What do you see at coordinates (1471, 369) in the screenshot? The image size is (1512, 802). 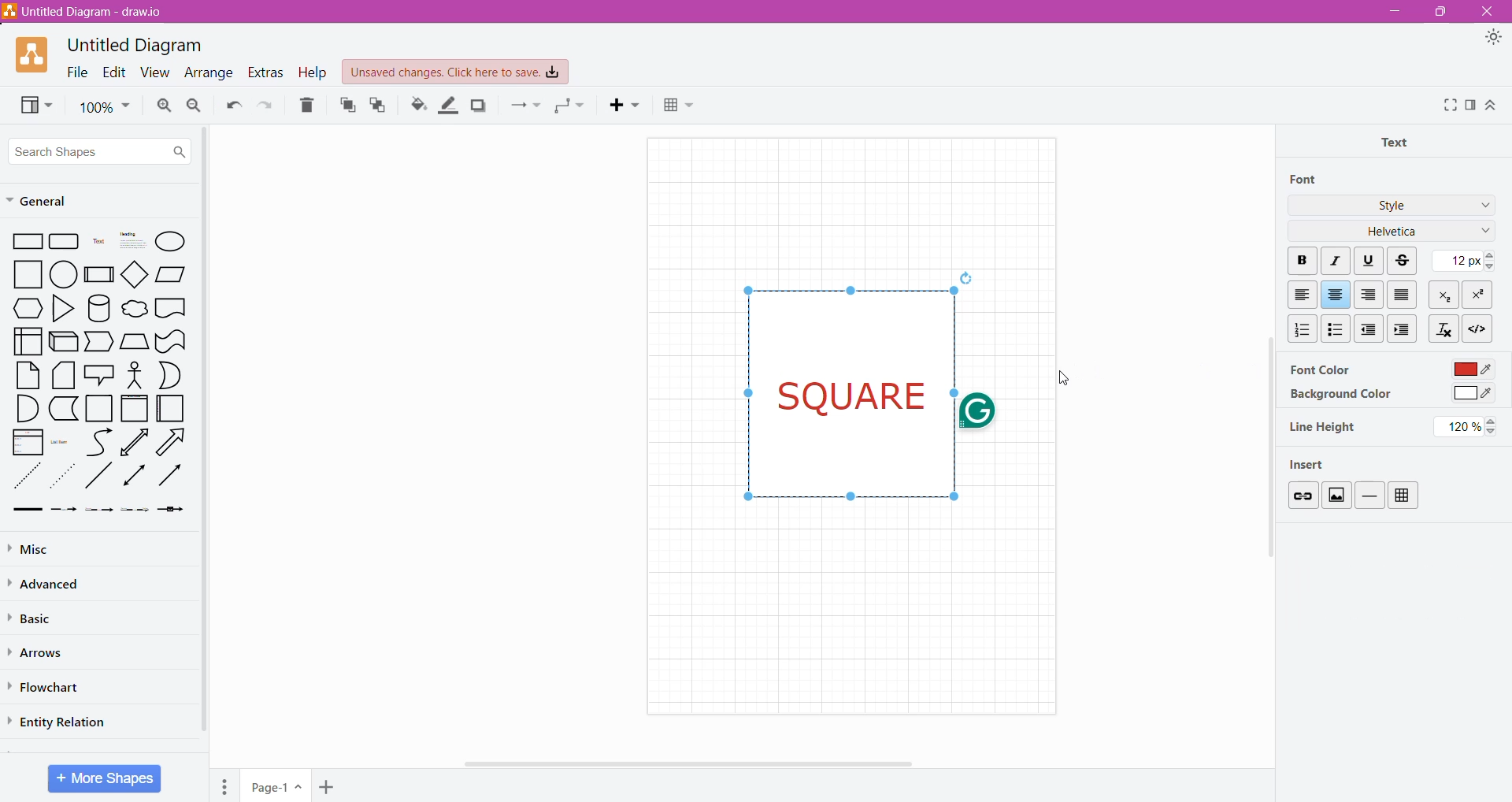 I see `Click to select Font Color` at bounding box center [1471, 369].